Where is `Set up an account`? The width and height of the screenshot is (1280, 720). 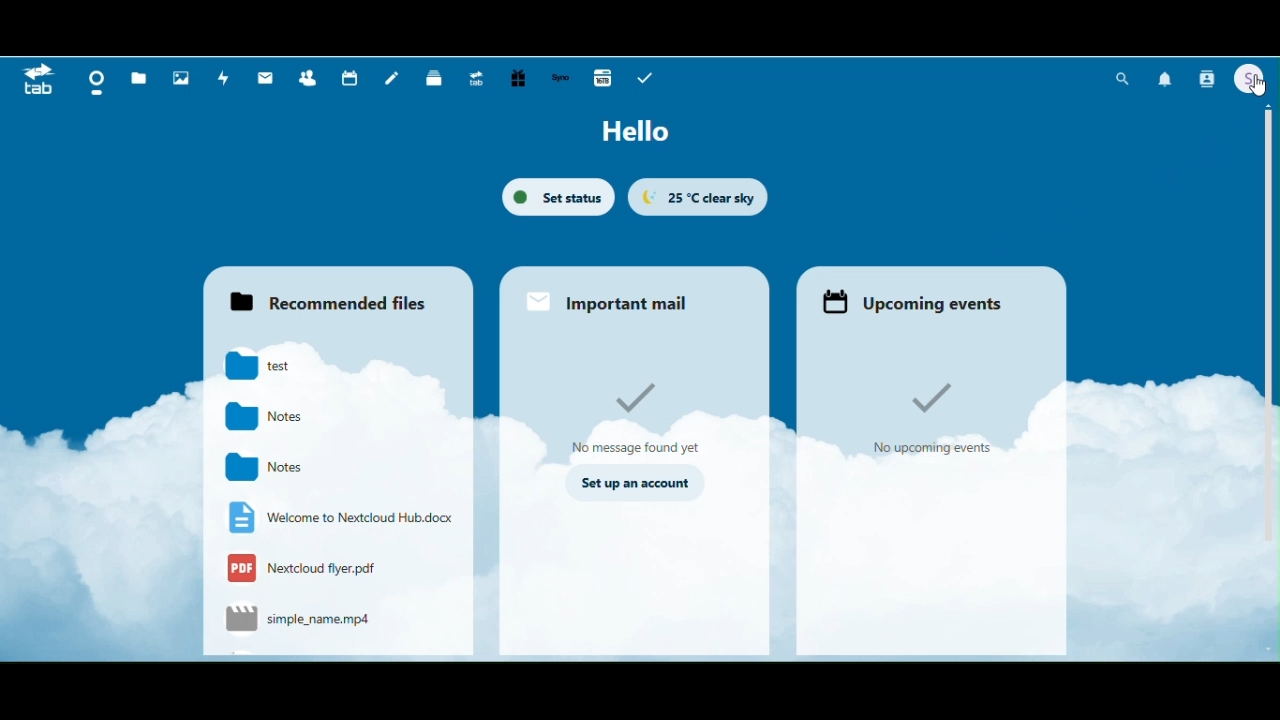 Set up an account is located at coordinates (634, 484).